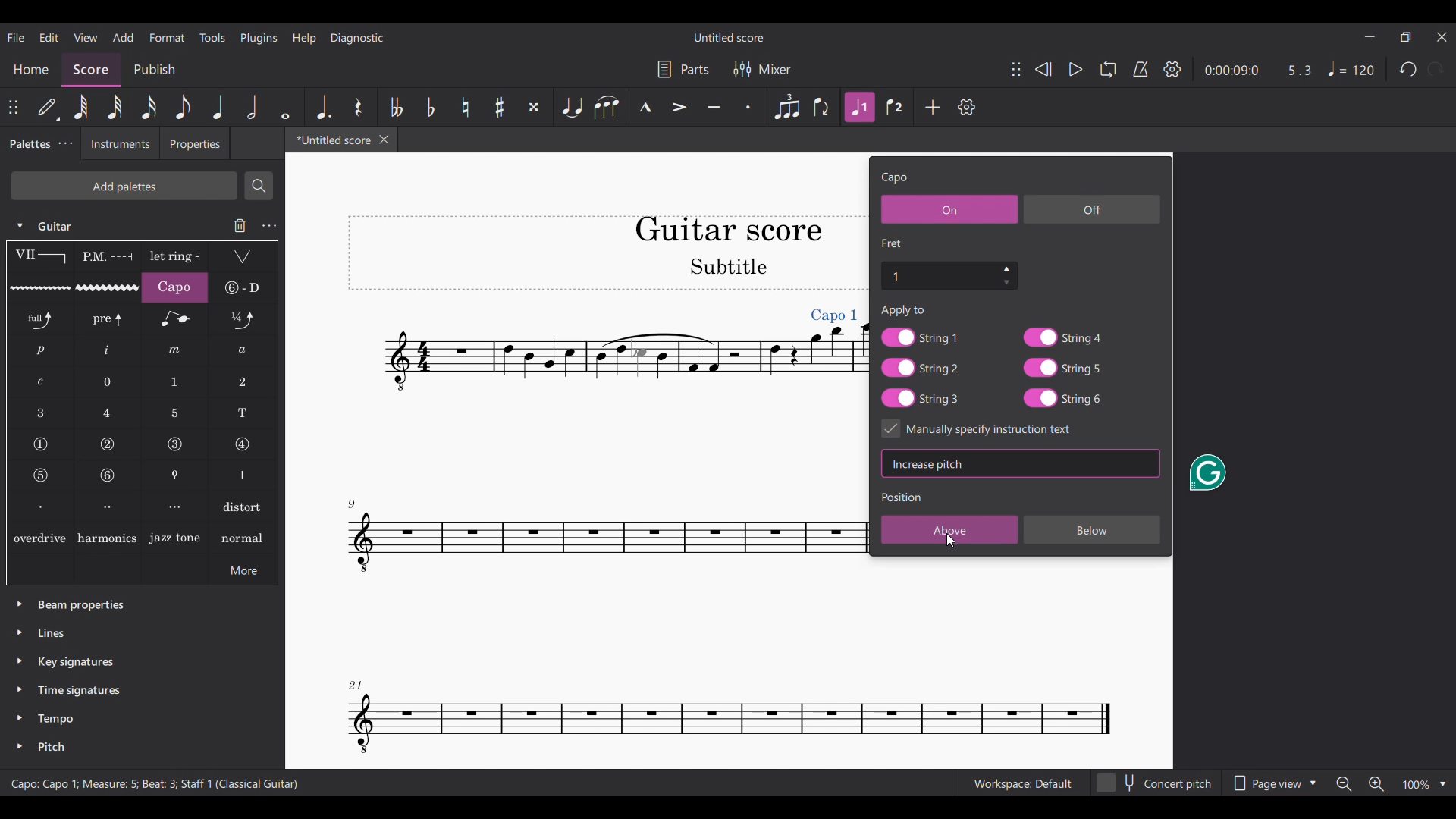 Image resolution: width=1456 pixels, height=819 pixels. Describe the element at coordinates (175, 319) in the screenshot. I see `Grace note bend` at that location.